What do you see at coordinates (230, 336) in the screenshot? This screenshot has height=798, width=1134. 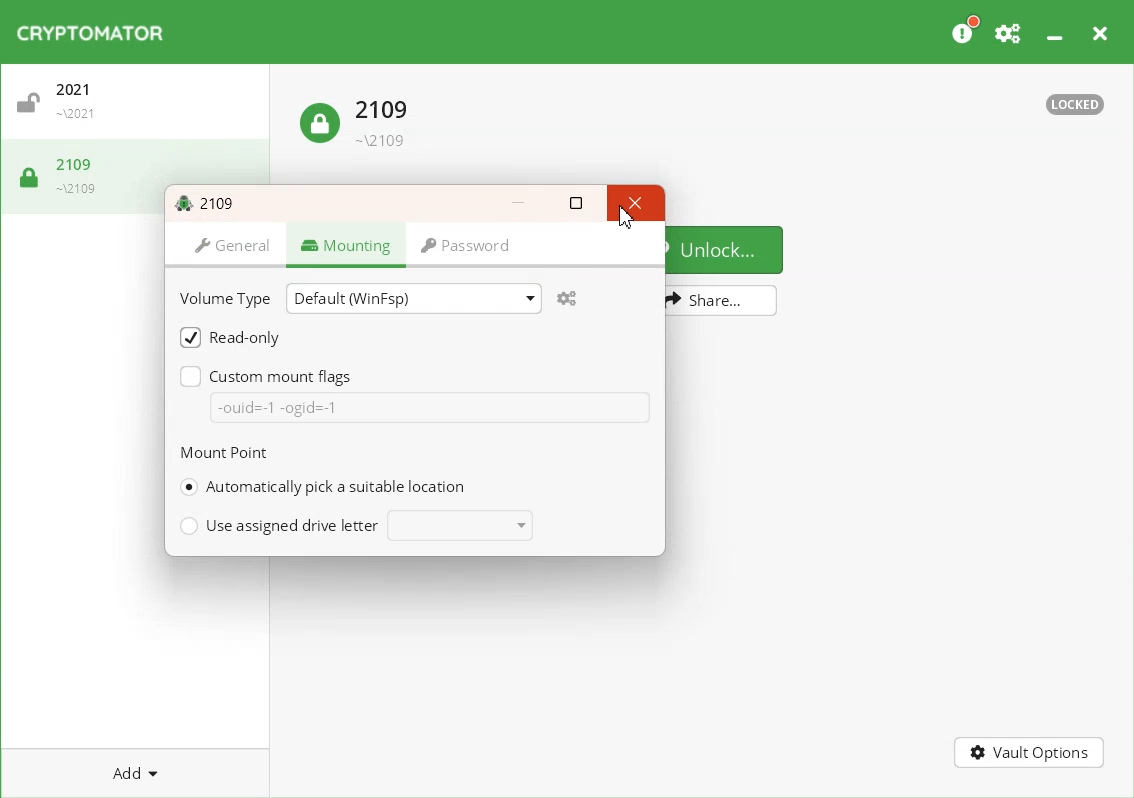 I see `Enable Read-only` at bounding box center [230, 336].